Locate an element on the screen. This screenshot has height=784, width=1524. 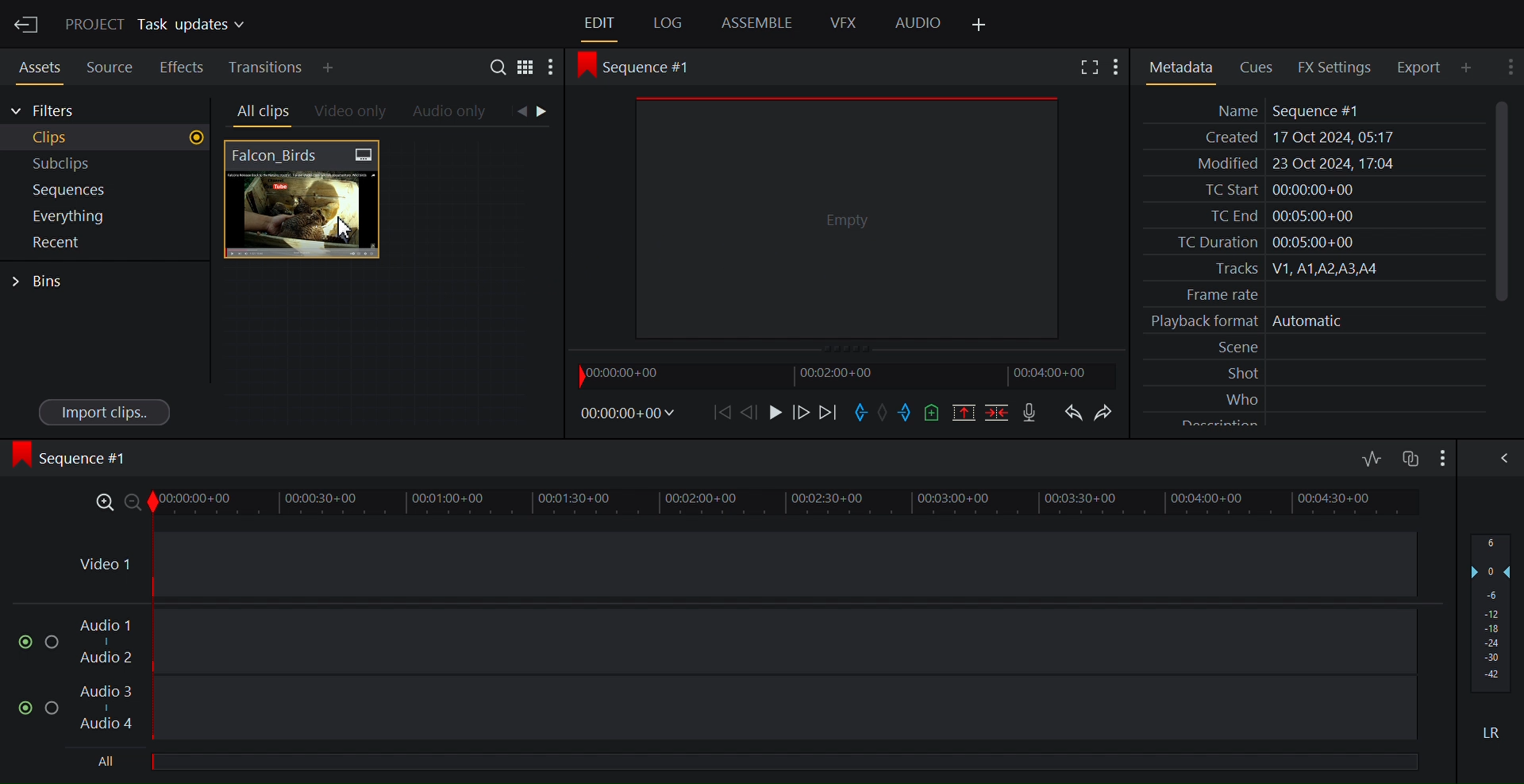
Record a voice over is located at coordinates (1031, 413).